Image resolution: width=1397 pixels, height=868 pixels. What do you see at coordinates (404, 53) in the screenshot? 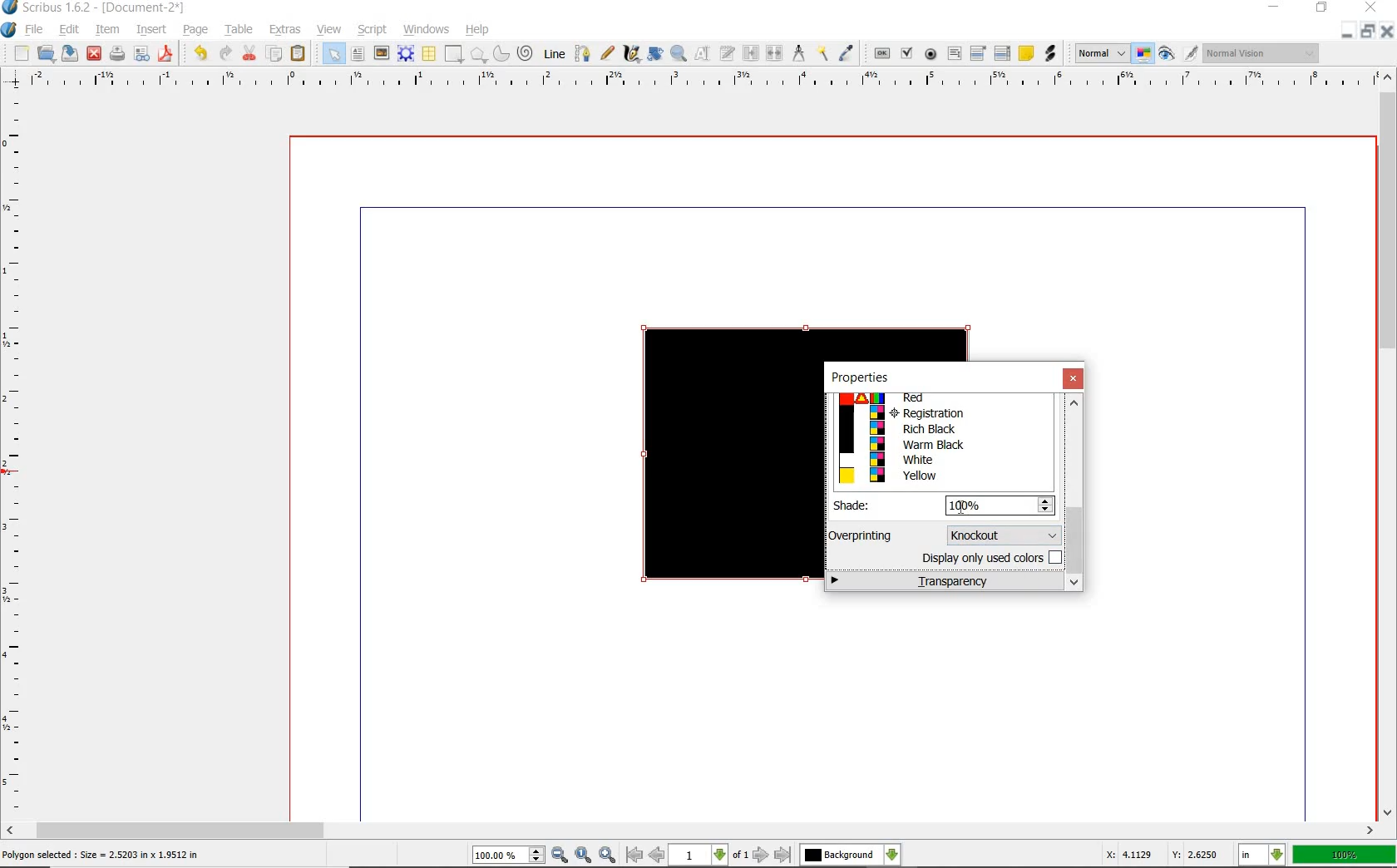
I see `render frame` at bounding box center [404, 53].